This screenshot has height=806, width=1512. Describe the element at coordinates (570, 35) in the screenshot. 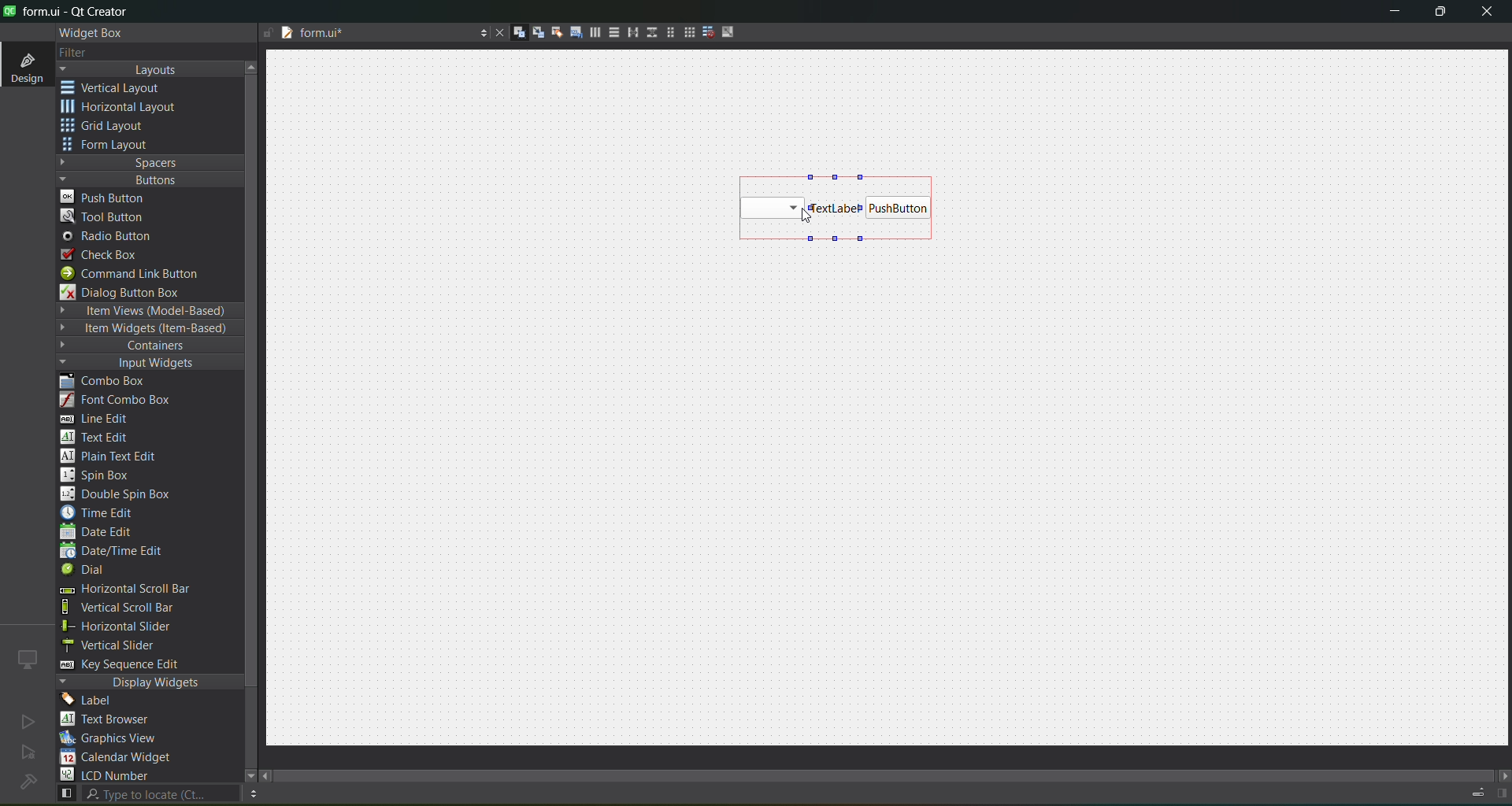

I see `edit tab` at that location.